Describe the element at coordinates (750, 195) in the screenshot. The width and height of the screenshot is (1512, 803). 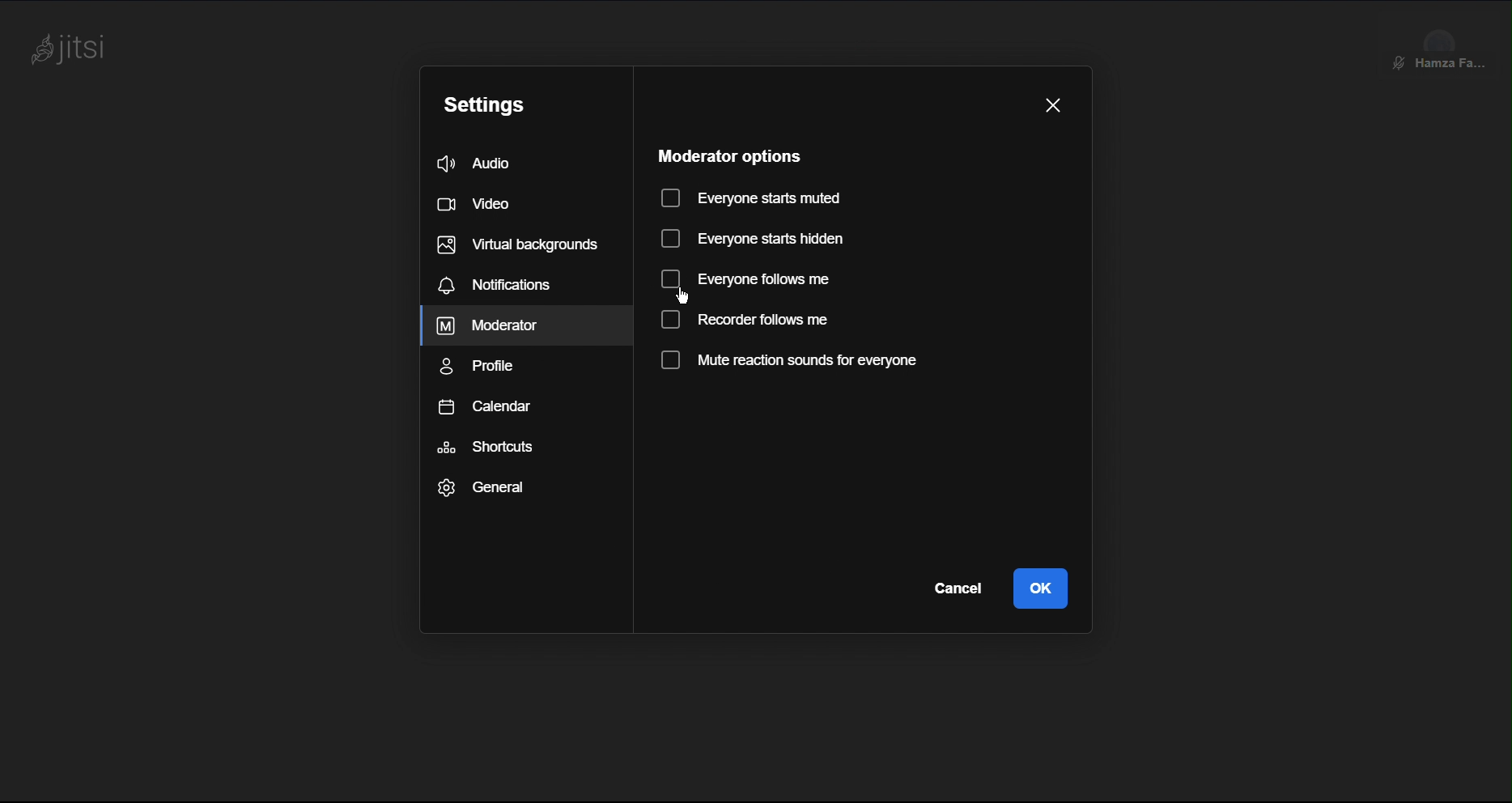
I see `Everyone starts muted` at that location.